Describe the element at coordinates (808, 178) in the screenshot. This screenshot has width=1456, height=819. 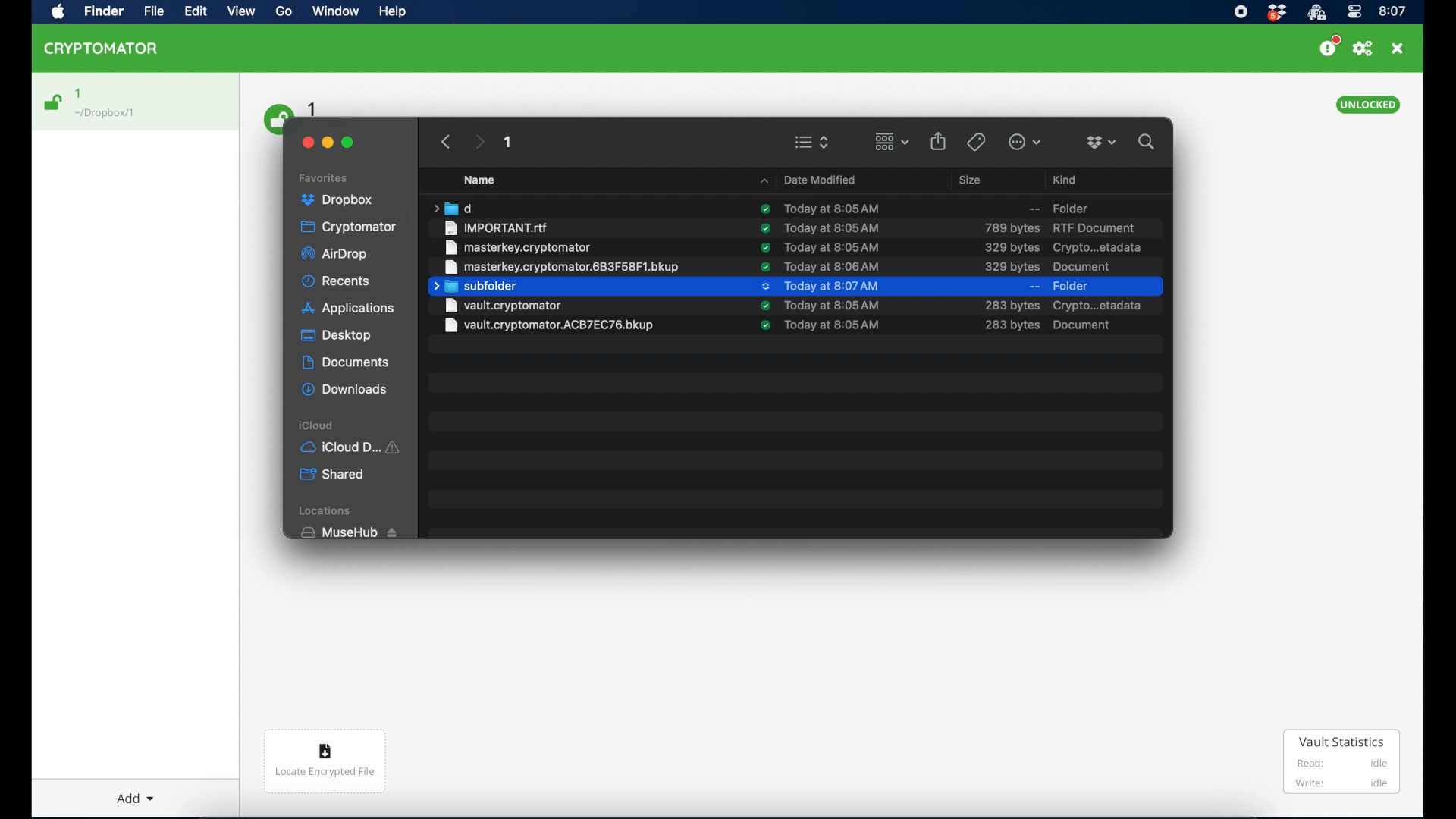
I see `Date Modifies` at that location.